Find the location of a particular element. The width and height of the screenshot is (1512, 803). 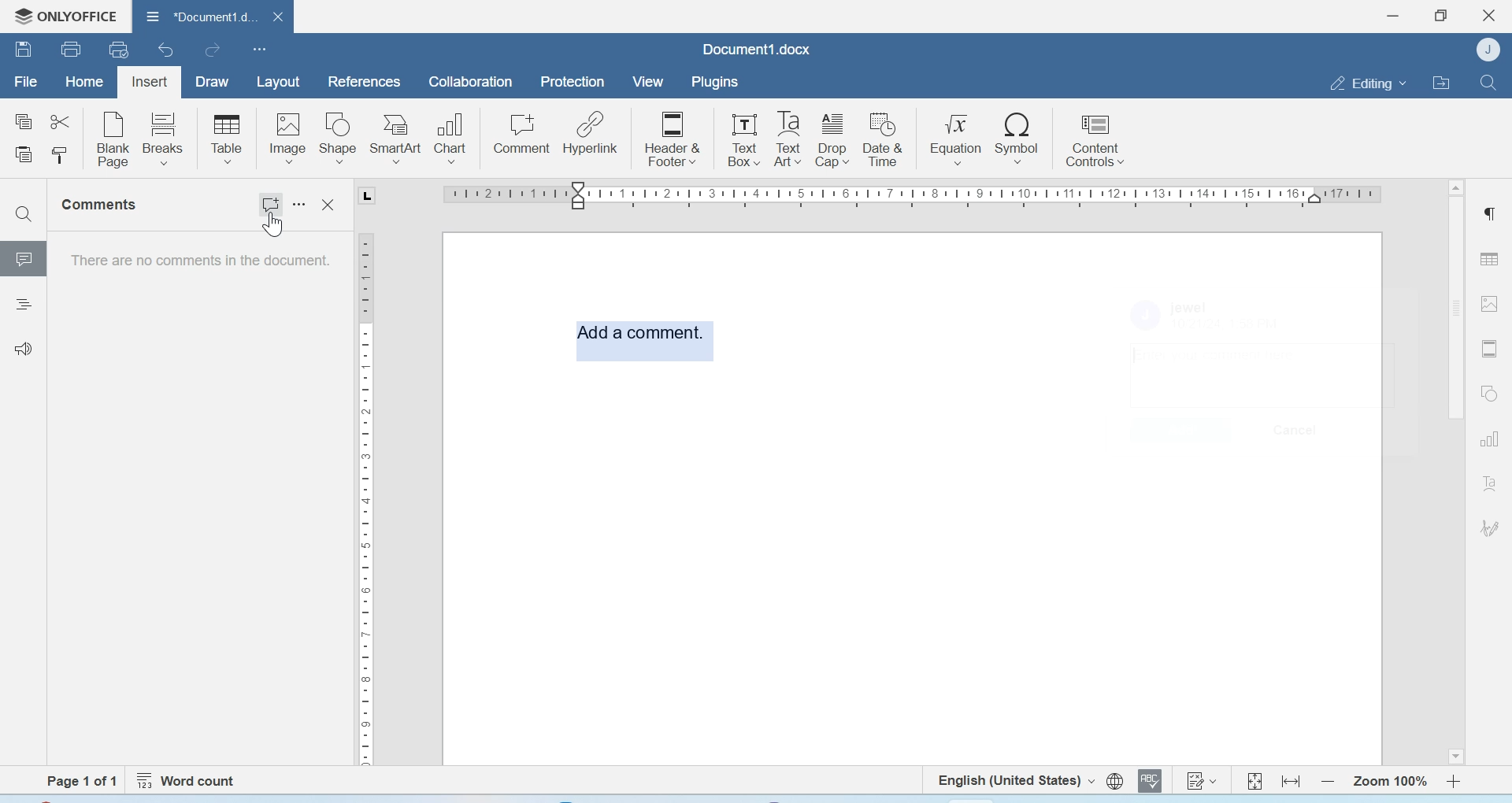

Equation is located at coordinates (956, 137).